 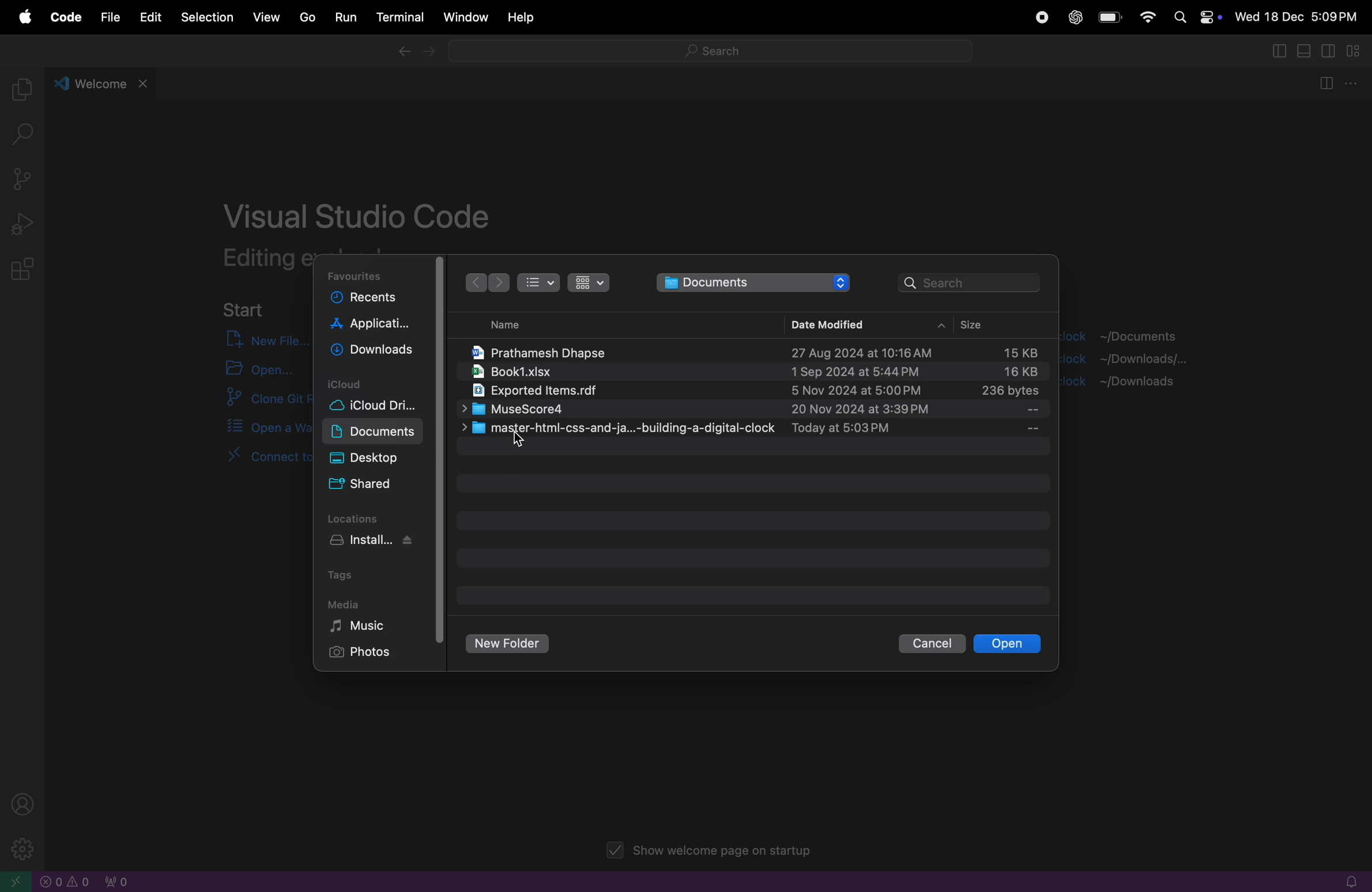 What do you see at coordinates (372, 626) in the screenshot?
I see `music` at bounding box center [372, 626].